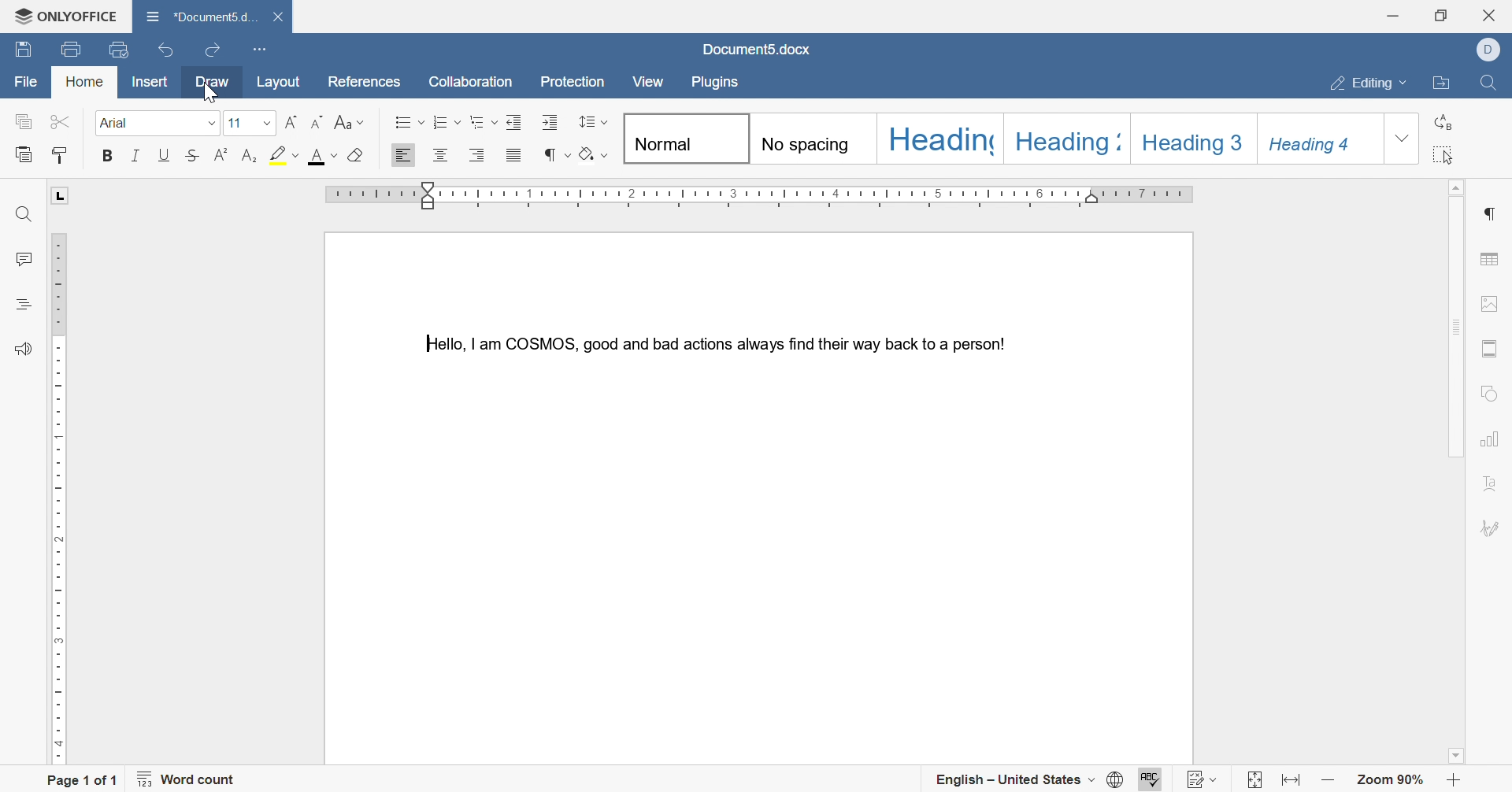 The image size is (1512, 792). What do you see at coordinates (1014, 783) in the screenshot?
I see `english - united states` at bounding box center [1014, 783].